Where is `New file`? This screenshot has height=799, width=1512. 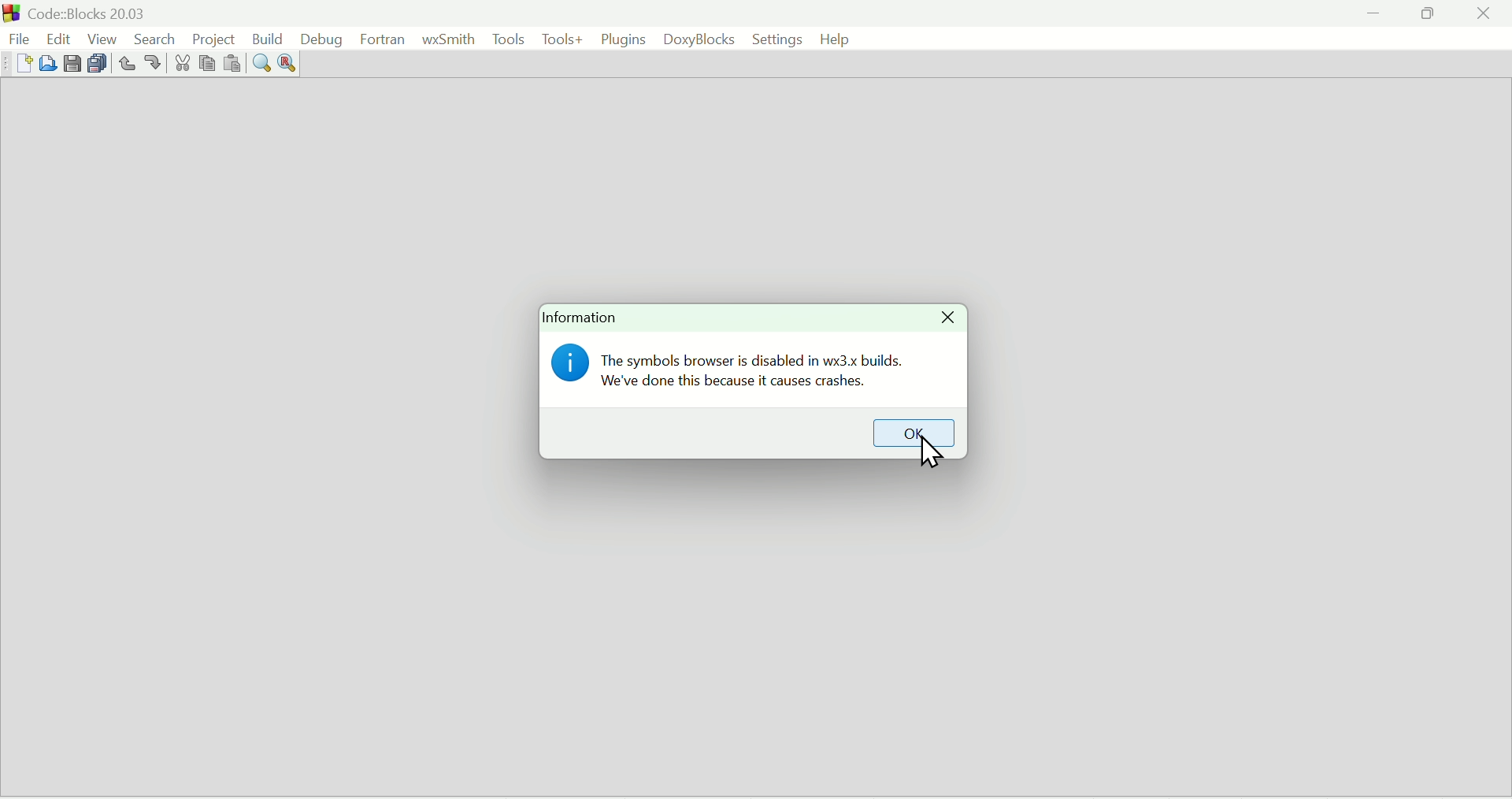 New file is located at coordinates (22, 63).